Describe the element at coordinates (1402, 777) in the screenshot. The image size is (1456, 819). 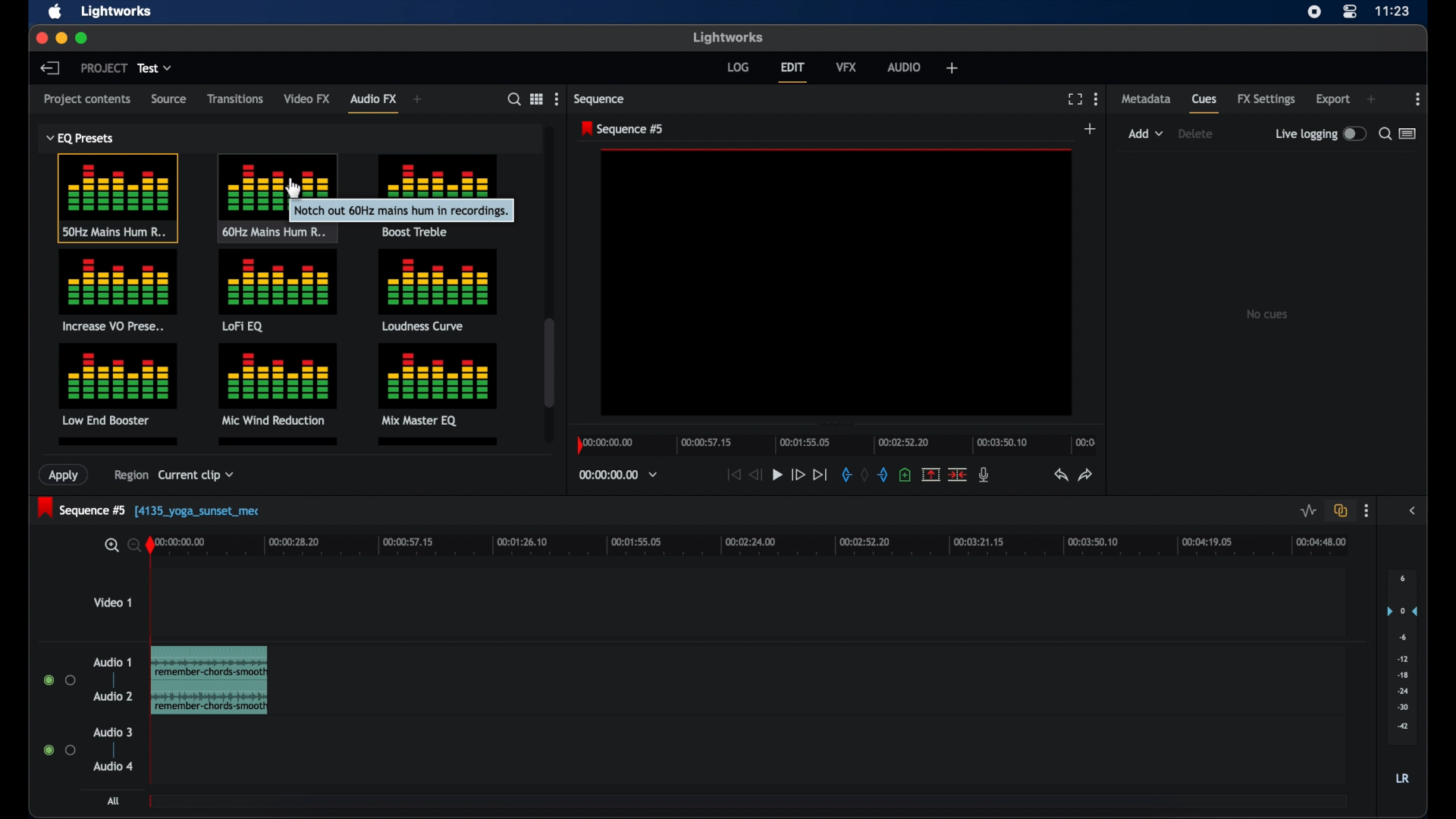
I see `LR` at that location.